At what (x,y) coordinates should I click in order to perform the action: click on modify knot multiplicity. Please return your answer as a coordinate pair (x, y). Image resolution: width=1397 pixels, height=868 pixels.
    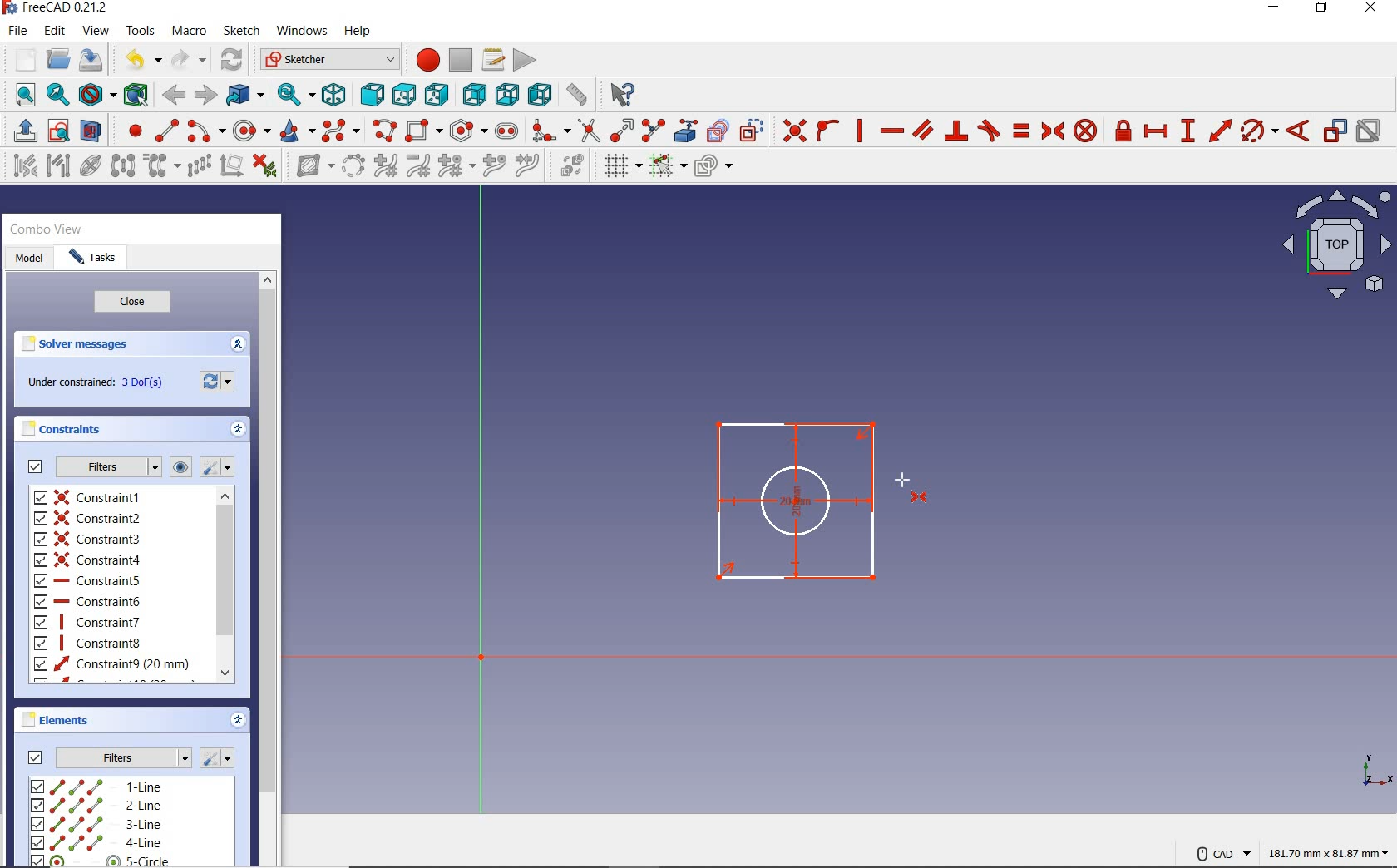
    Looking at the image, I should click on (457, 167).